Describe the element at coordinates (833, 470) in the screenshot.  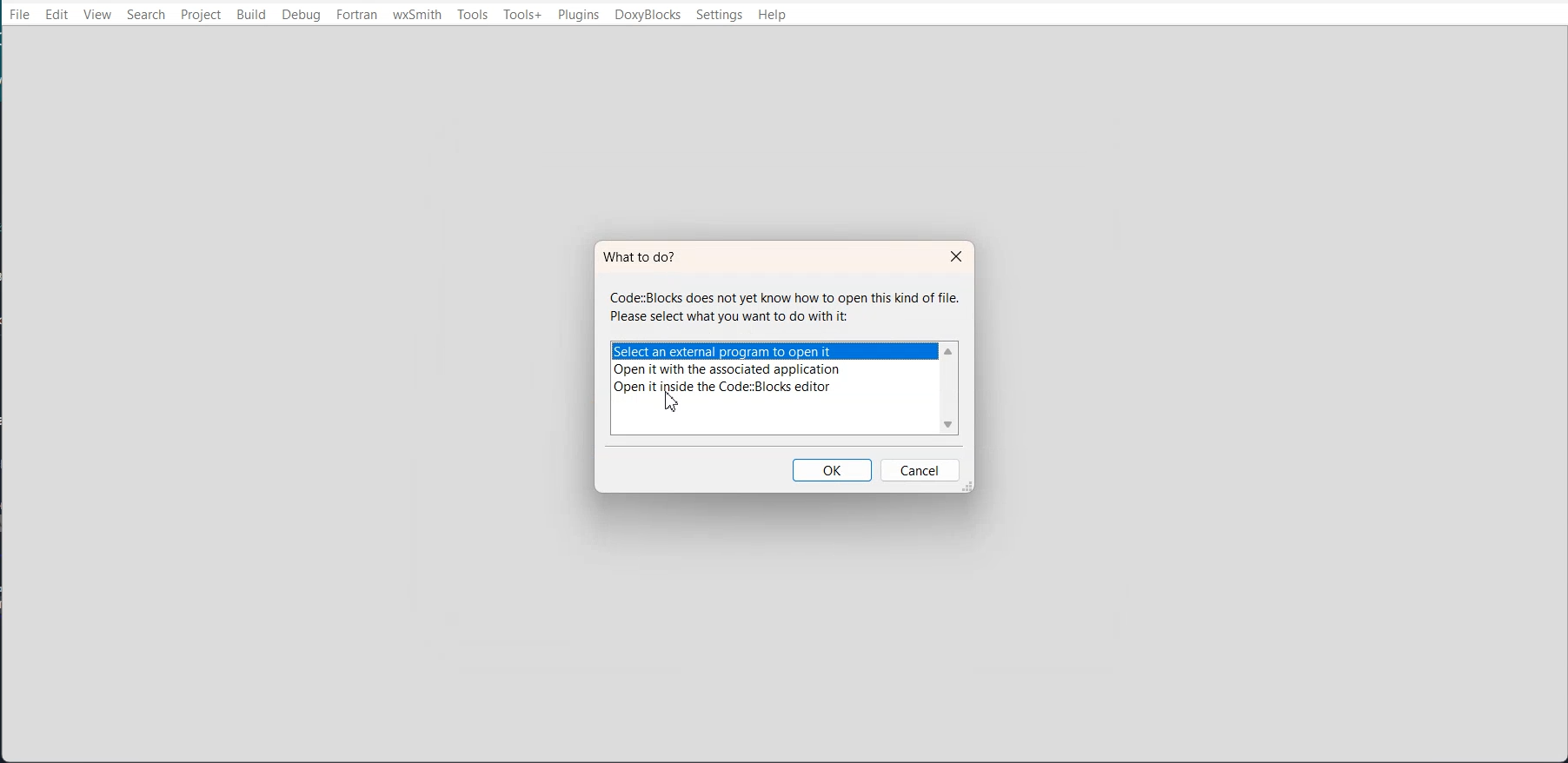
I see `OK` at that location.